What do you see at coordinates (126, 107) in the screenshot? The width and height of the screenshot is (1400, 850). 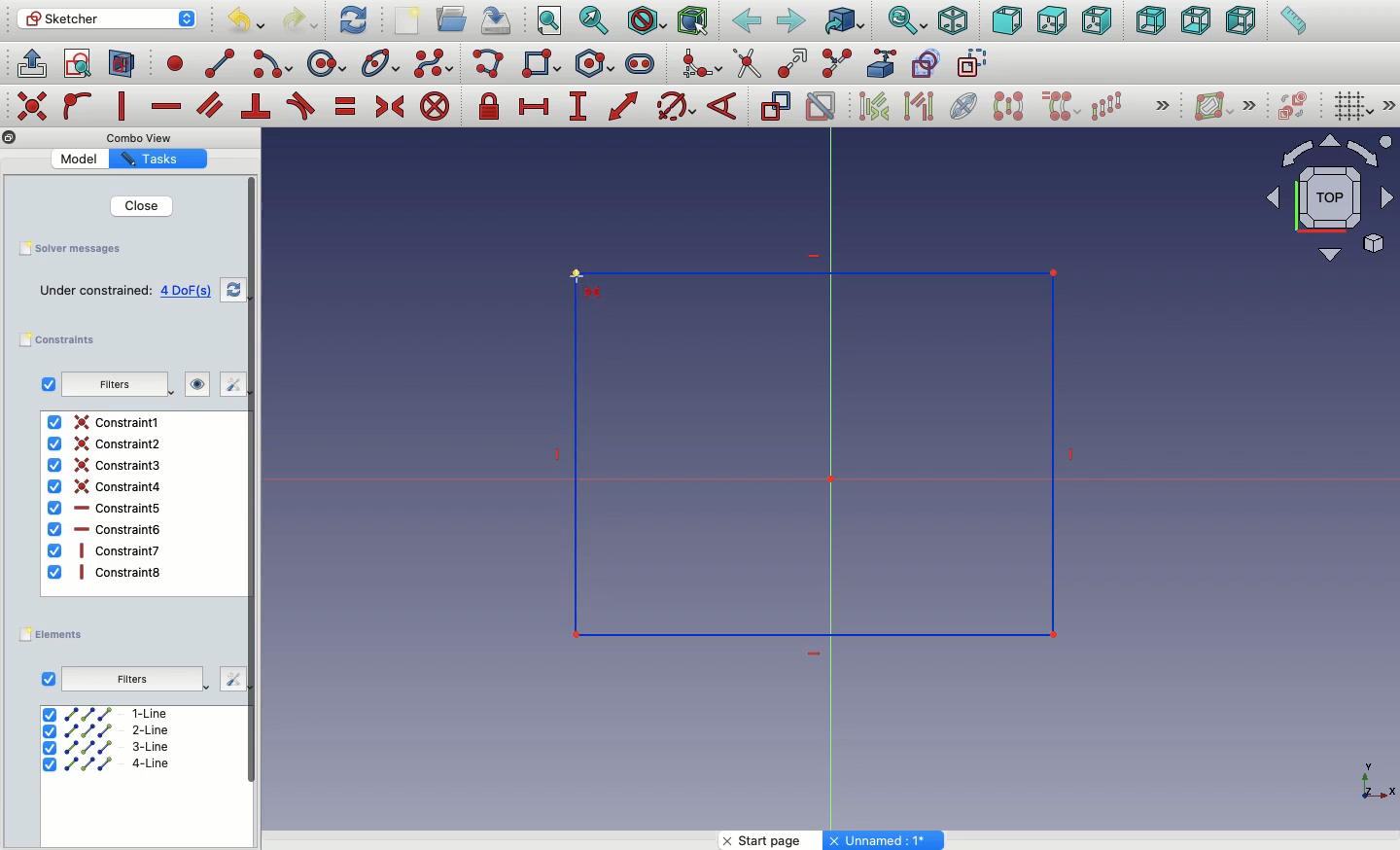 I see `constrain vertically ` at bounding box center [126, 107].